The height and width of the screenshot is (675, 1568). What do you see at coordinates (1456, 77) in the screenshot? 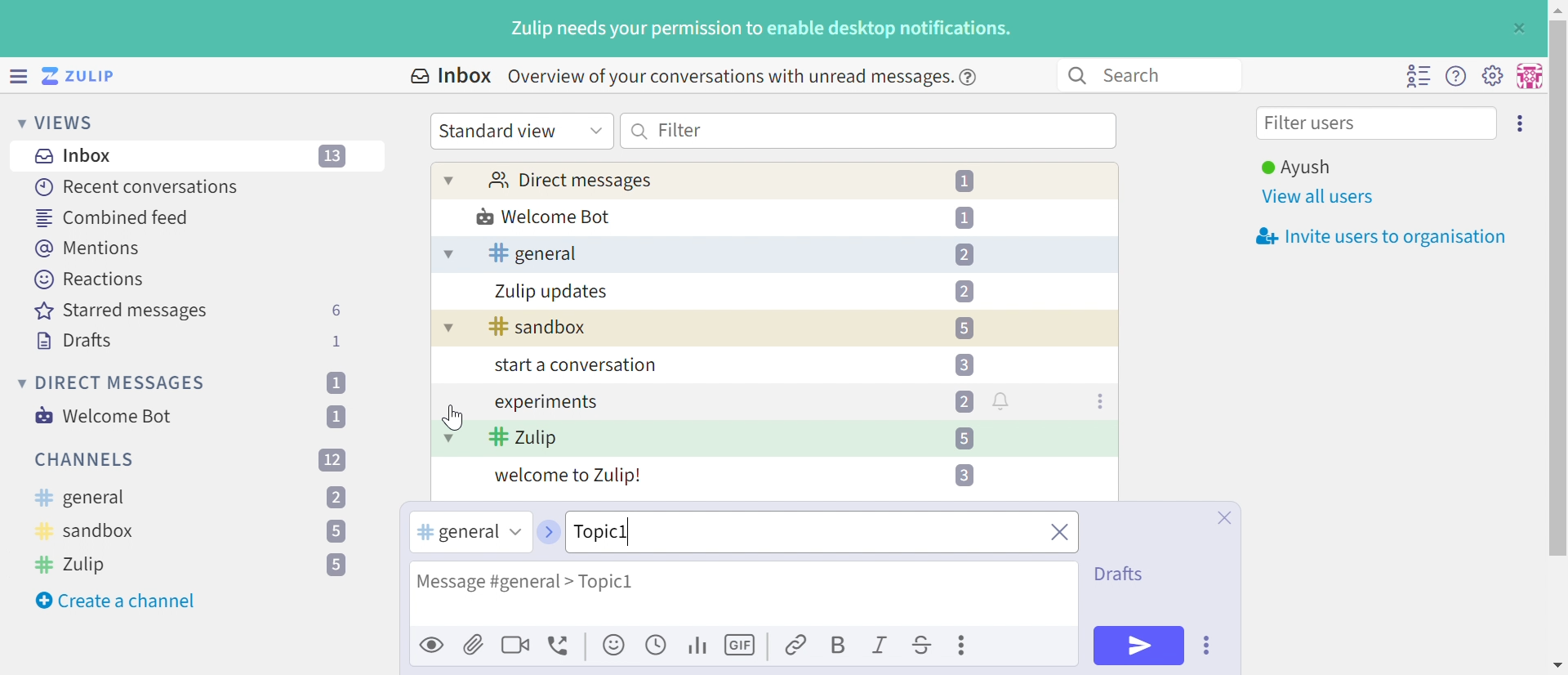
I see `Help menu` at bounding box center [1456, 77].